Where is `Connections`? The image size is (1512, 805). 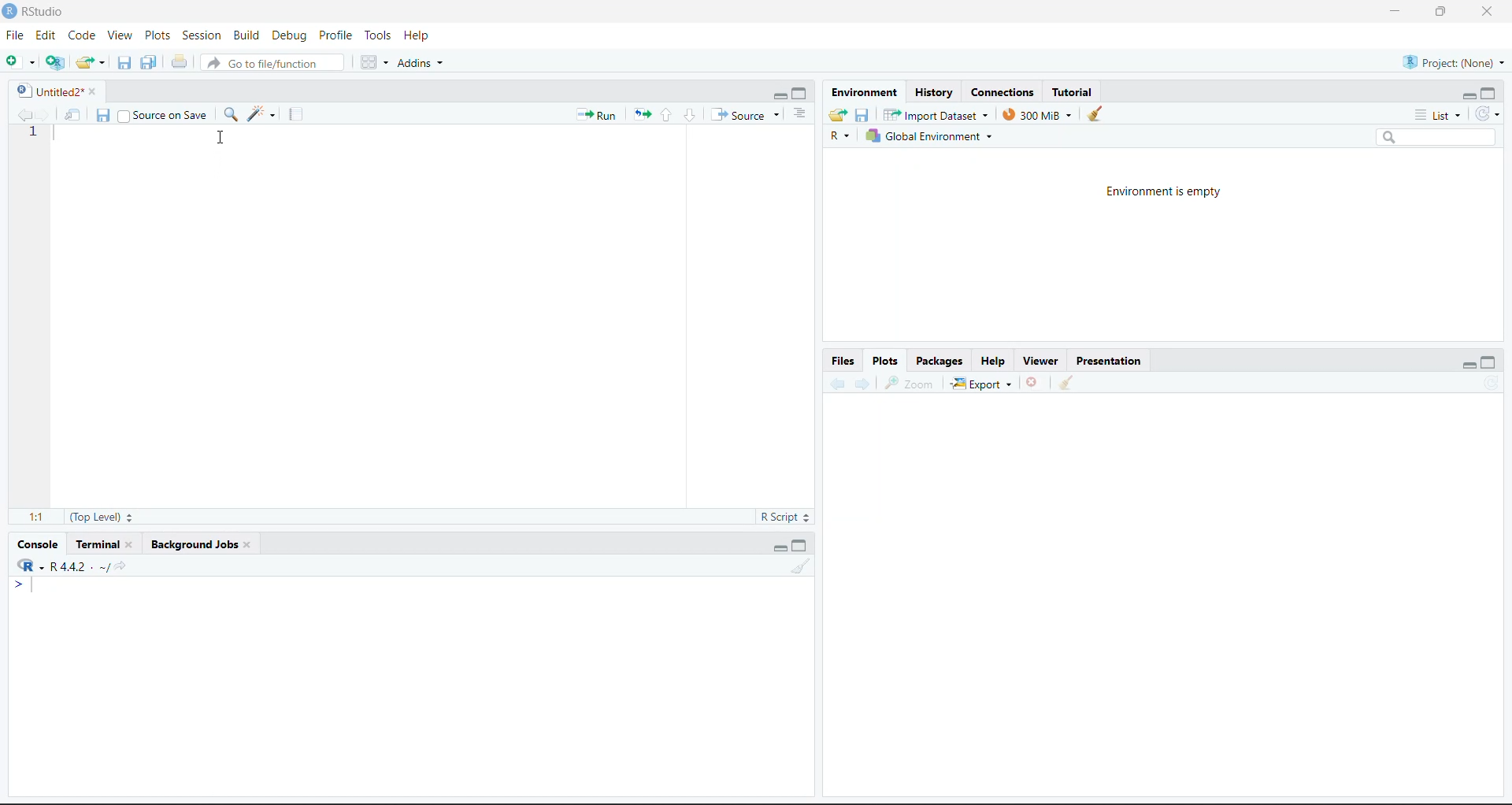
Connections is located at coordinates (1000, 93).